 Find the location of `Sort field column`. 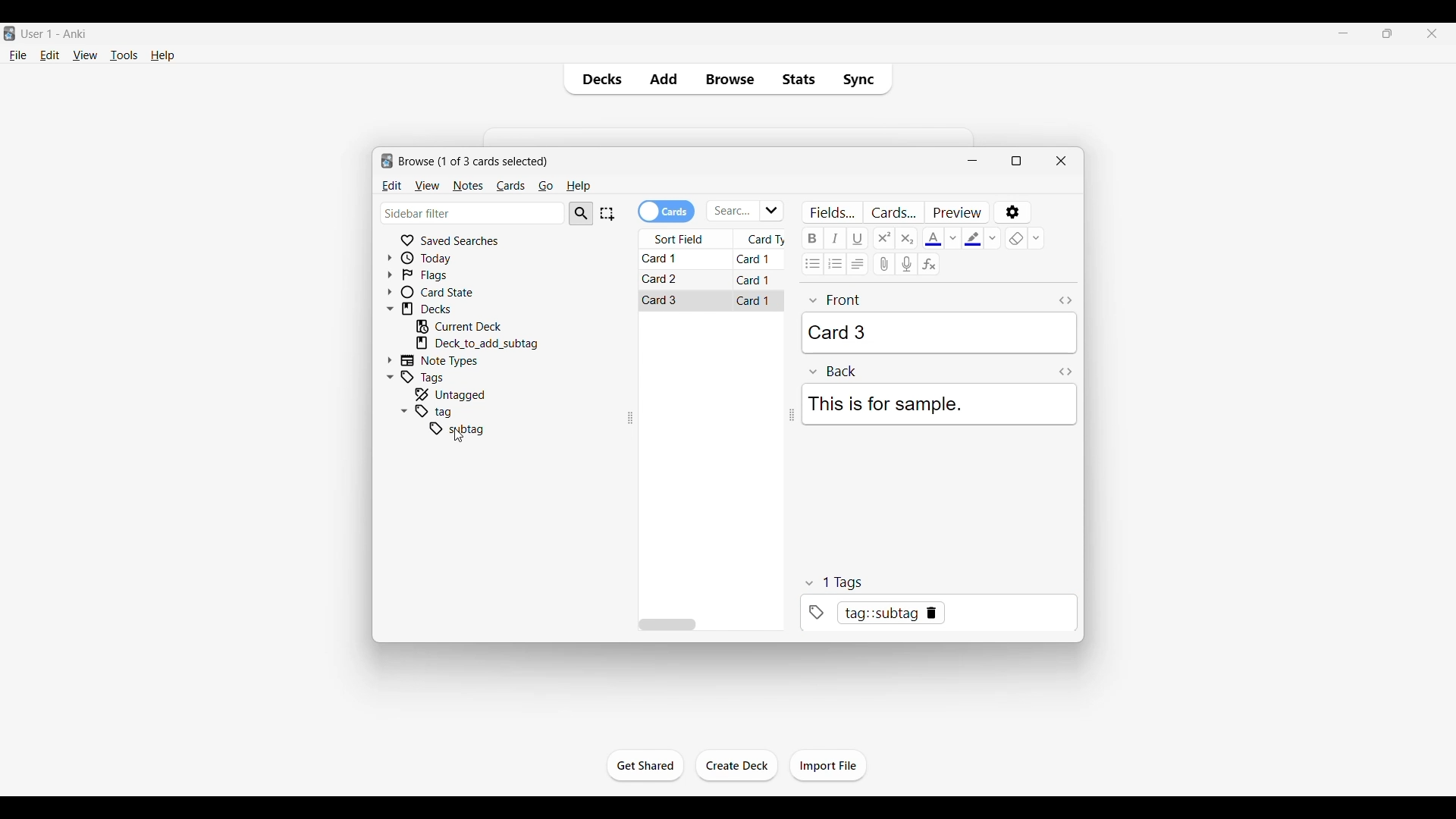

Sort field column is located at coordinates (686, 239).